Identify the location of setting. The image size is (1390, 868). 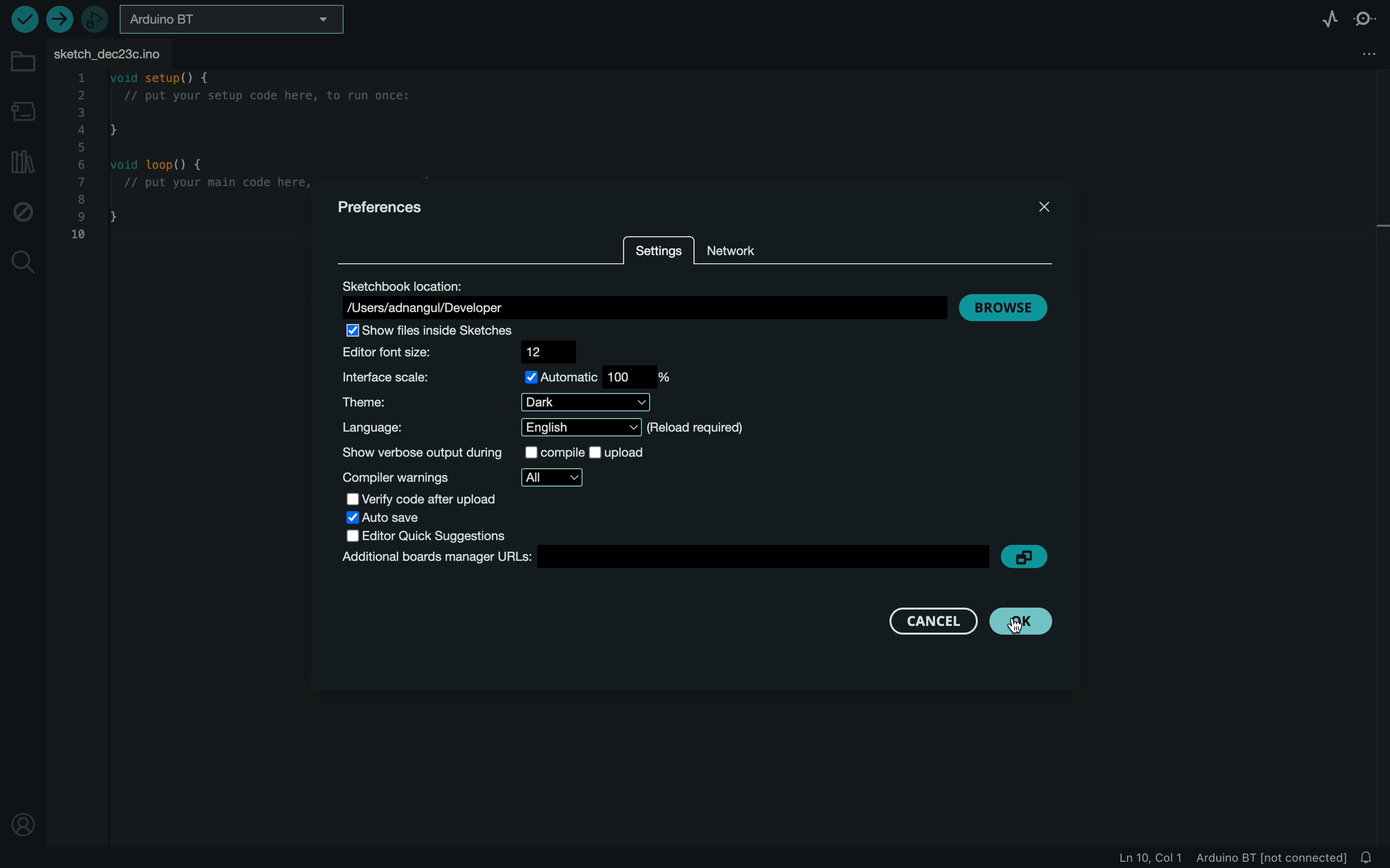
(659, 252).